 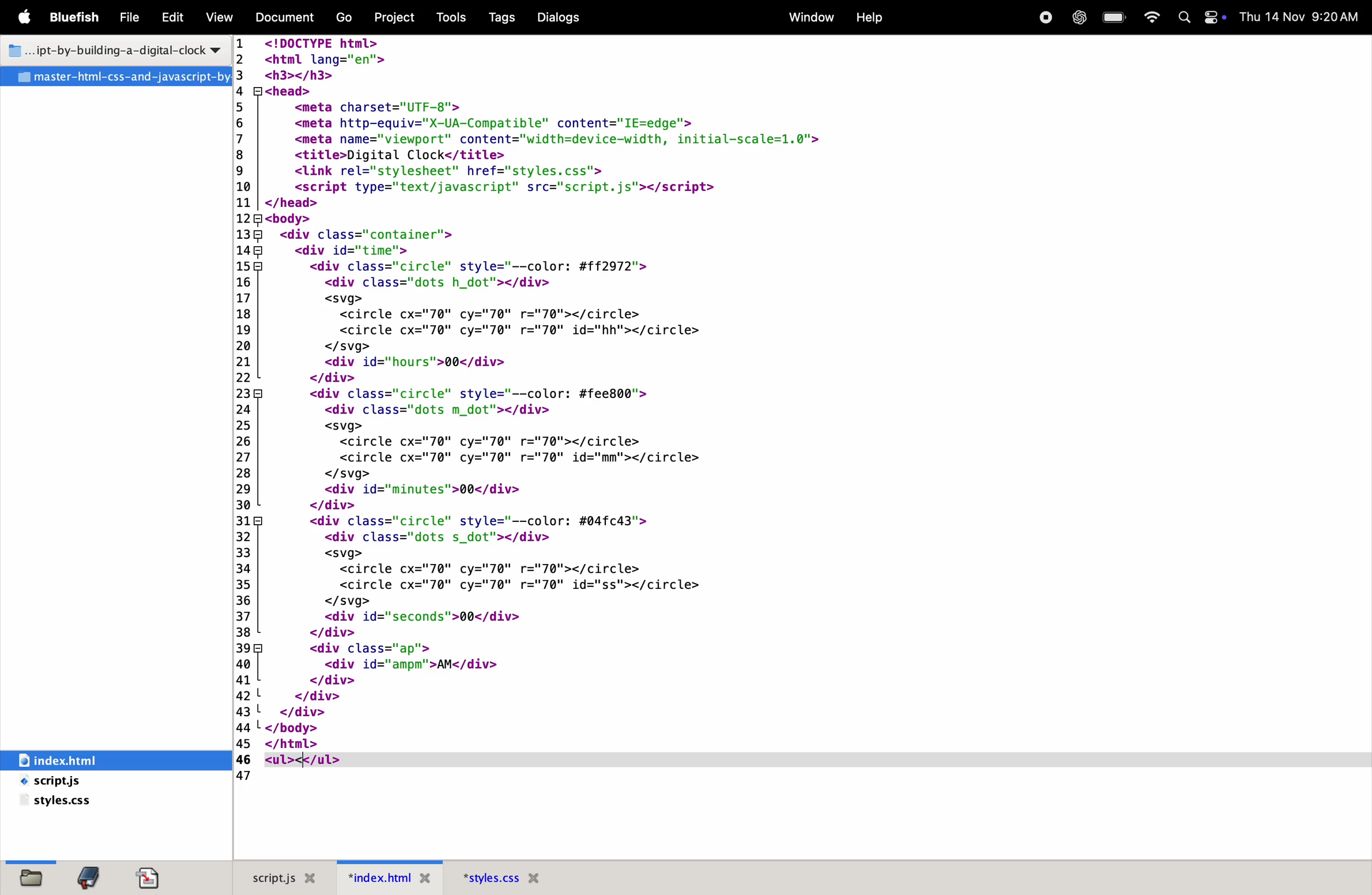 I want to click on Projects, so click(x=399, y=16).